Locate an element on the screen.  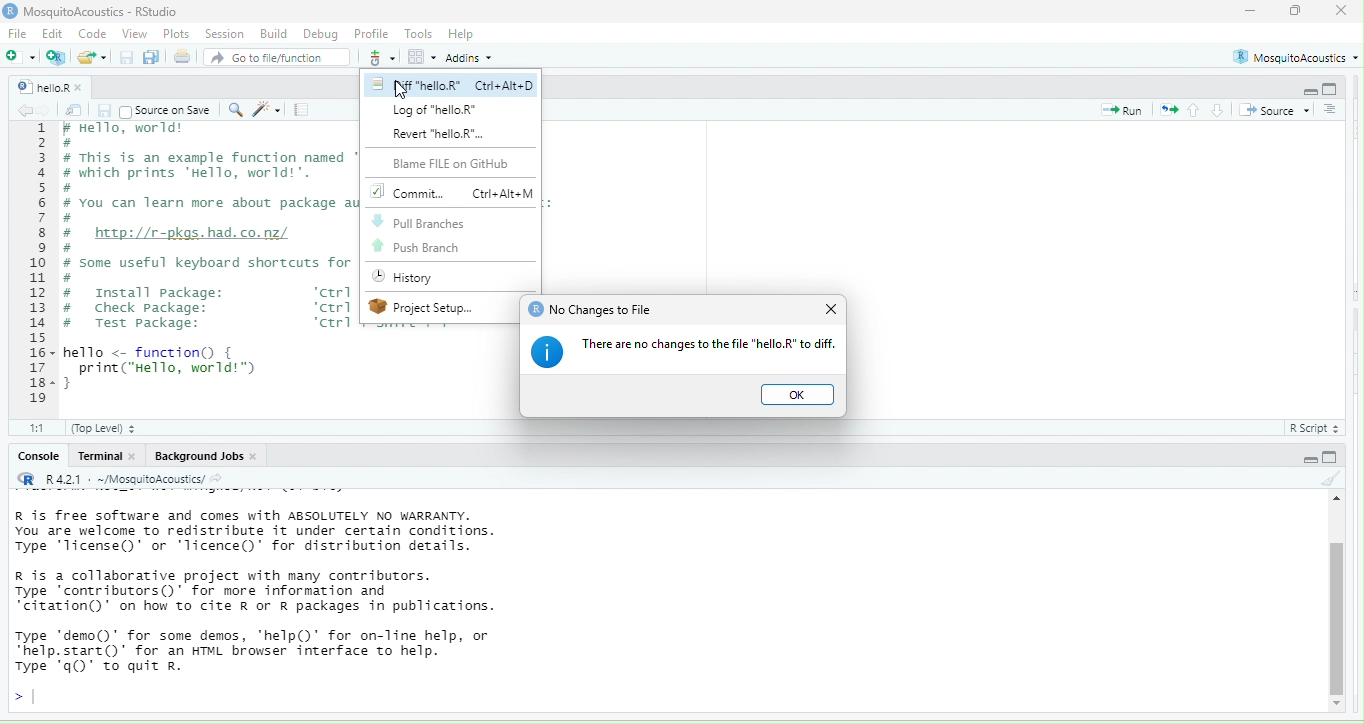
 Addins * is located at coordinates (470, 58).